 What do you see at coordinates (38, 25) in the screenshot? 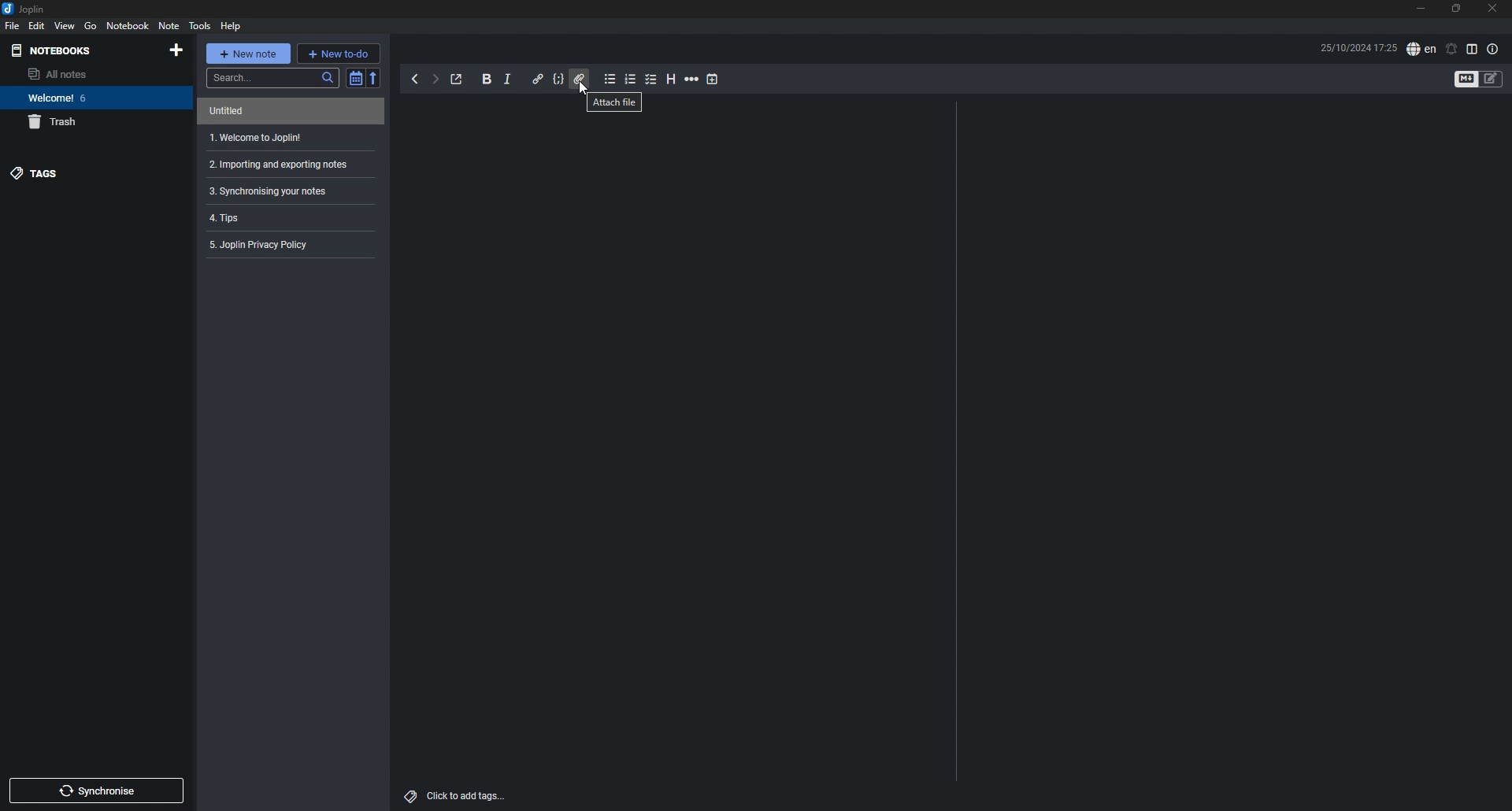
I see `edit` at bounding box center [38, 25].